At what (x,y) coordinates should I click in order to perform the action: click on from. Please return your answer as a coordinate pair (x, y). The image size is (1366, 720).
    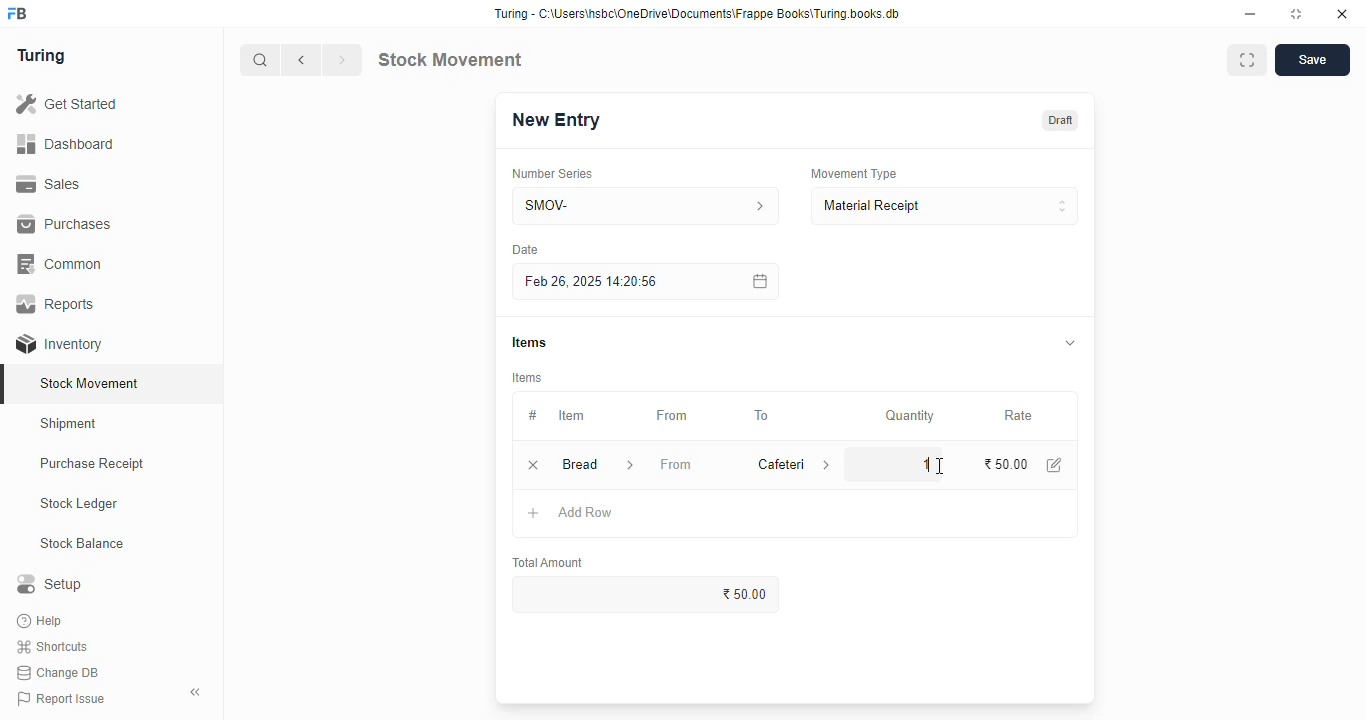
    Looking at the image, I should click on (676, 464).